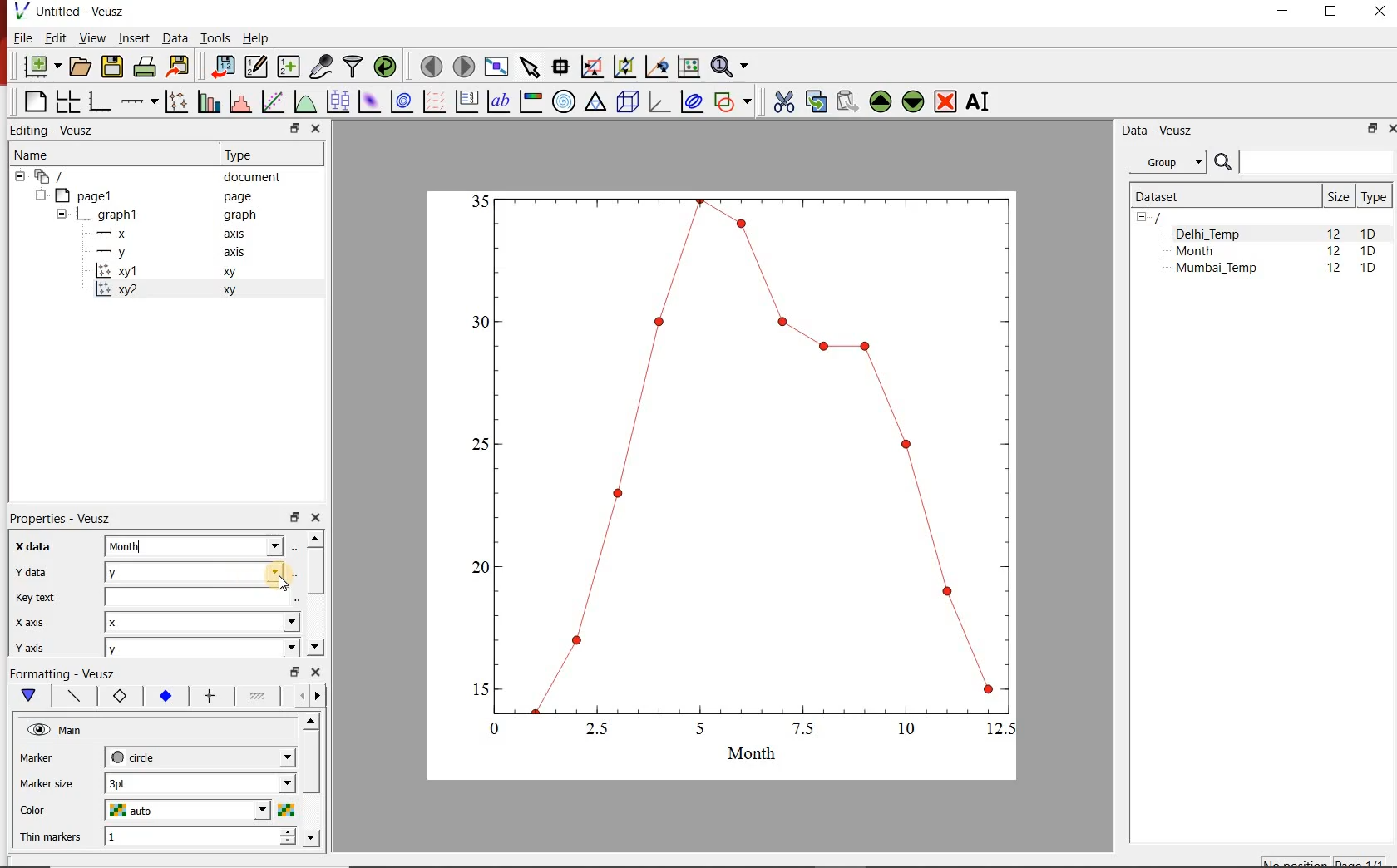  I want to click on open a document, so click(79, 67).